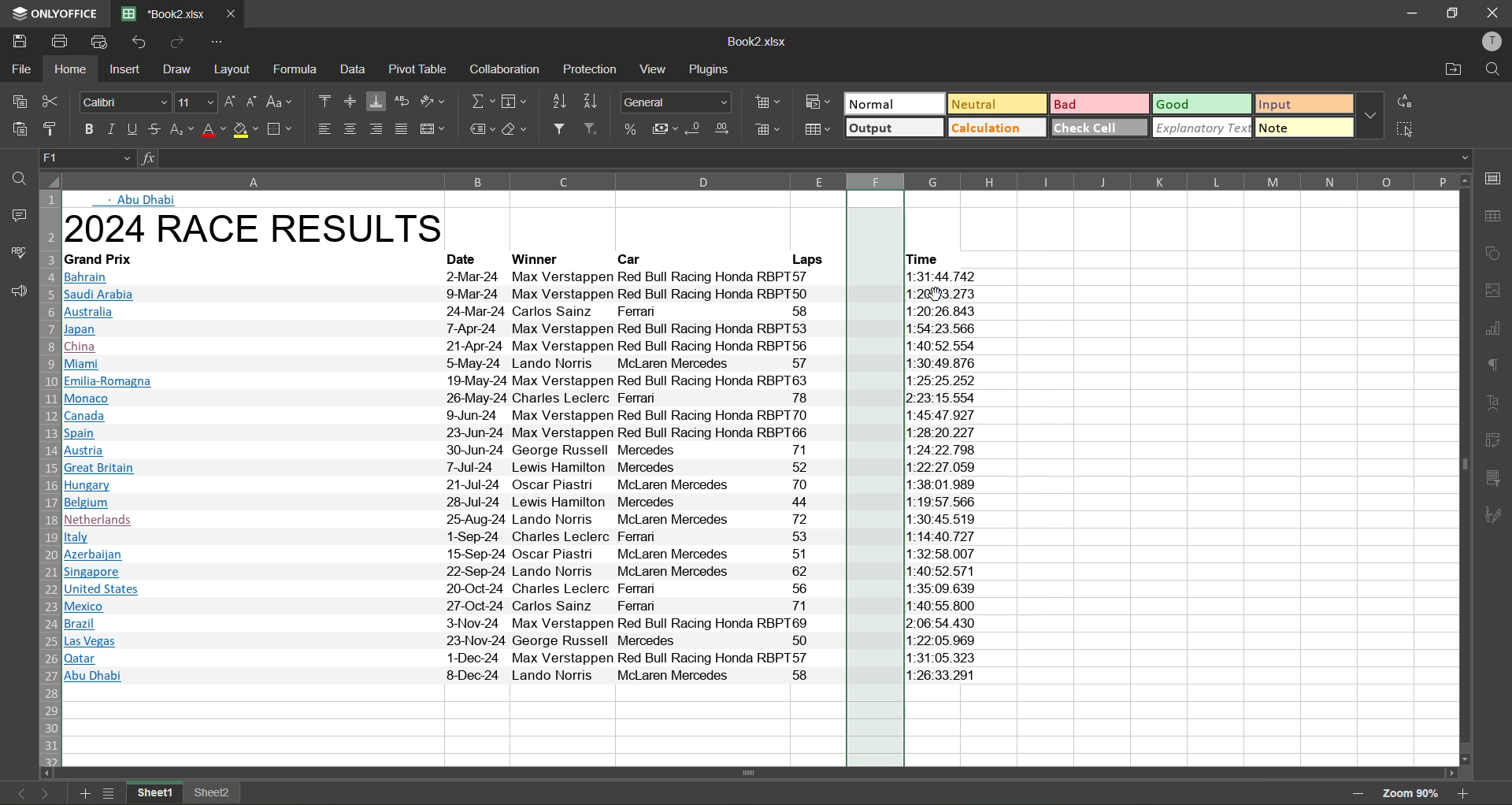 Image resolution: width=1512 pixels, height=805 pixels. What do you see at coordinates (150, 200) in the screenshot?
I see ` Abu Dhabi` at bounding box center [150, 200].